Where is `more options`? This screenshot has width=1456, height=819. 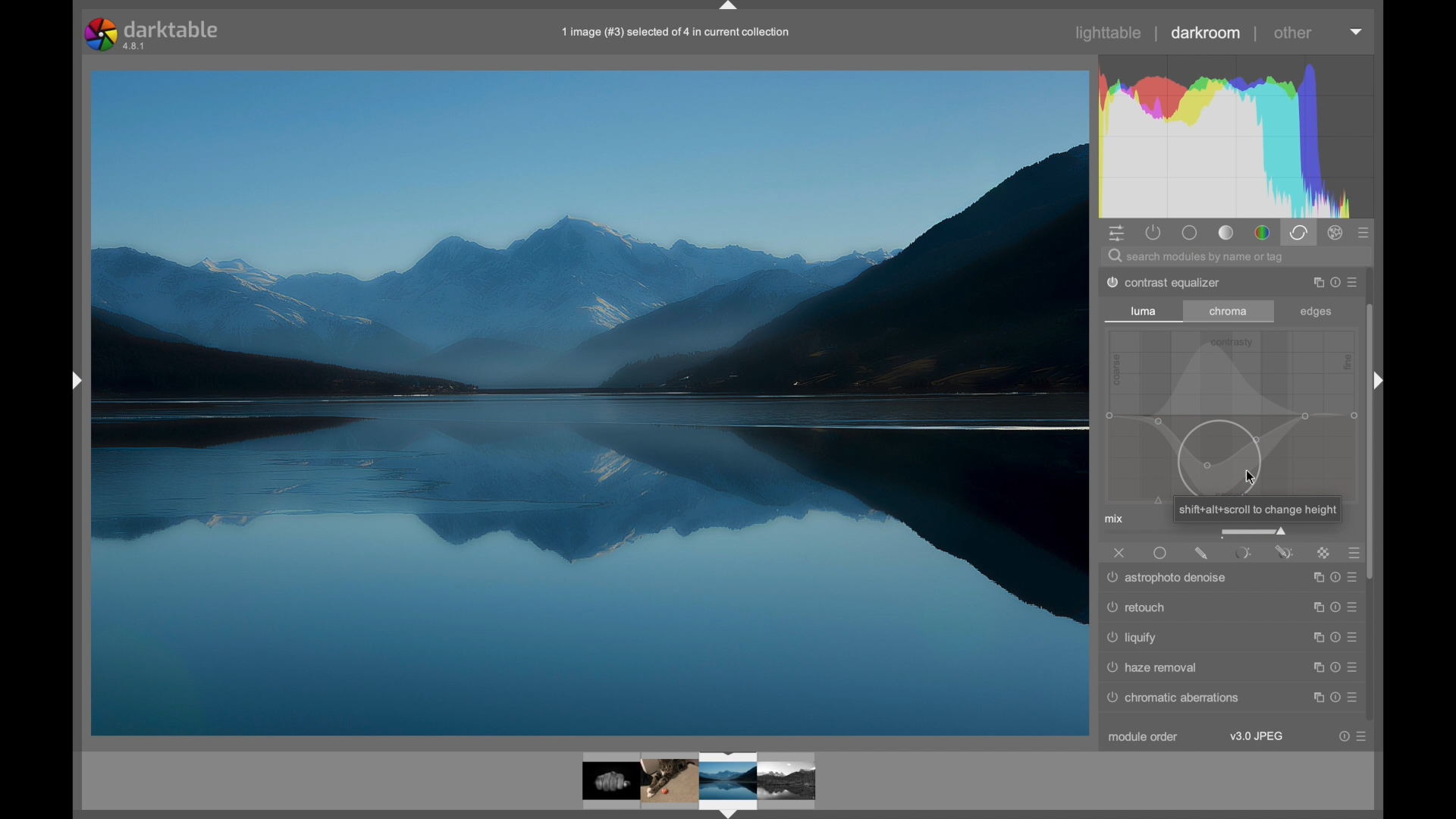 more options is located at coordinates (1331, 700).